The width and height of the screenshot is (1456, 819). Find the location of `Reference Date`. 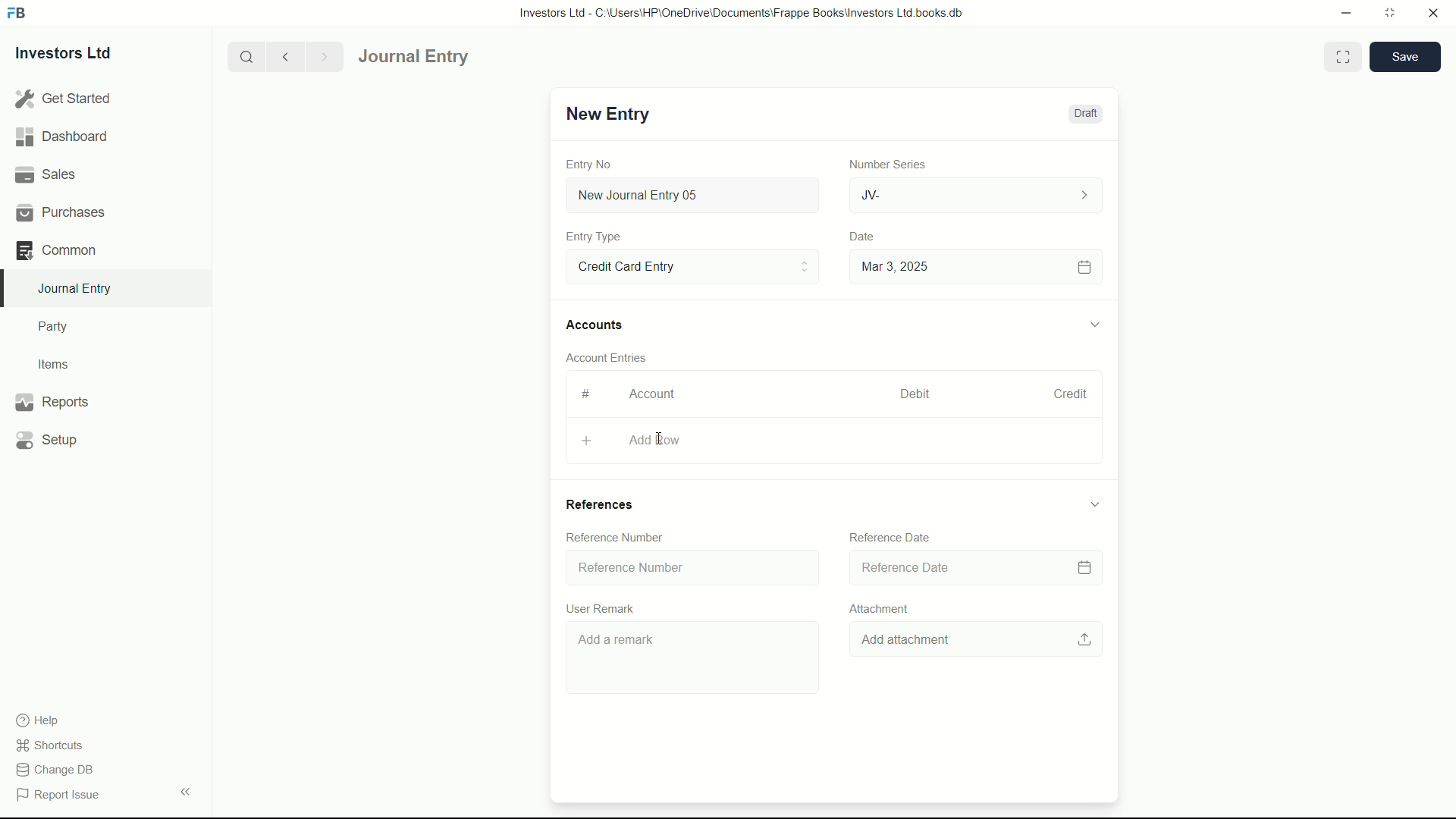

Reference Date is located at coordinates (890, 536).